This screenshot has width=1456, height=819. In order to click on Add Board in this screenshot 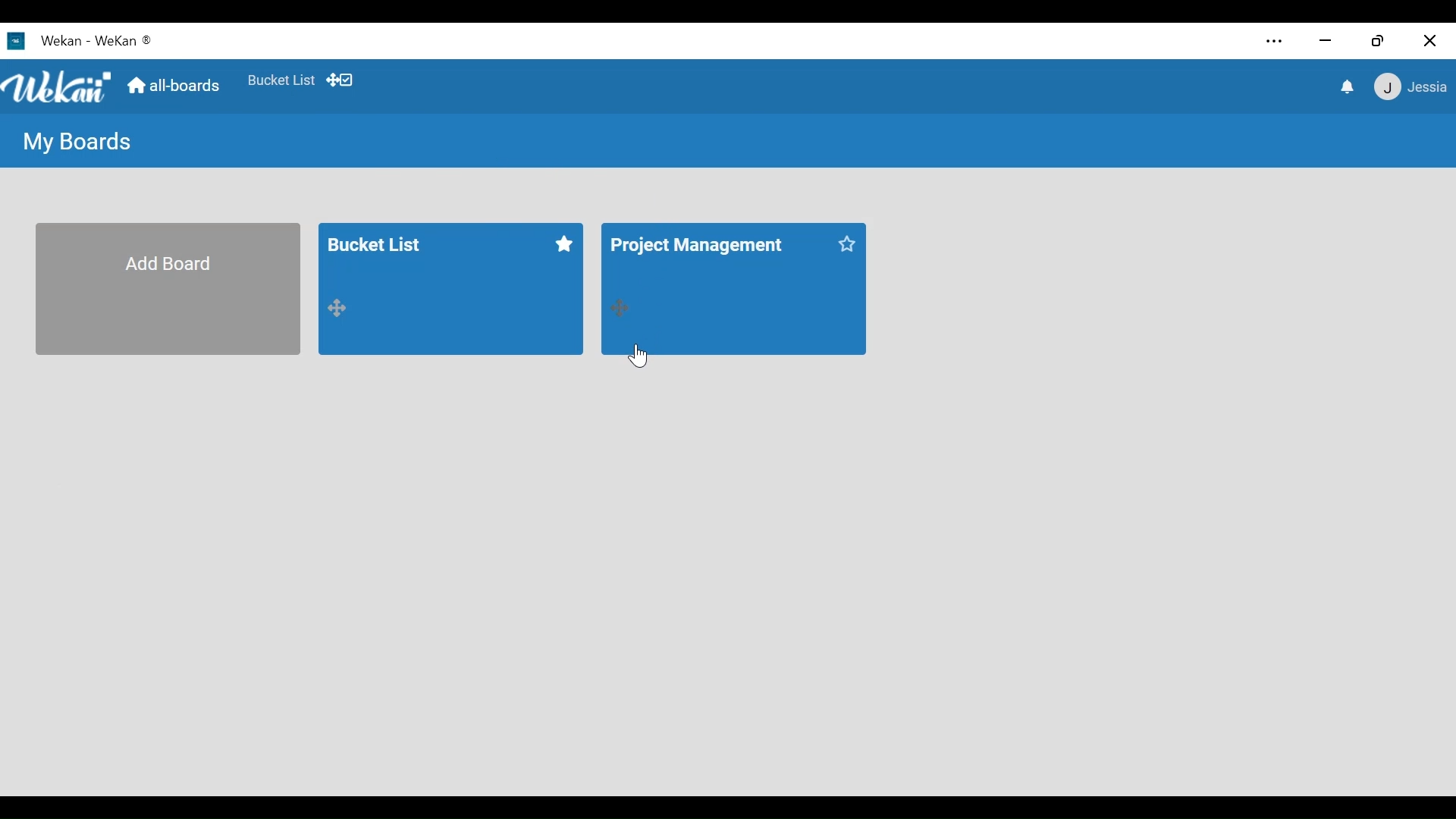, I will do `click(166, 289)`.